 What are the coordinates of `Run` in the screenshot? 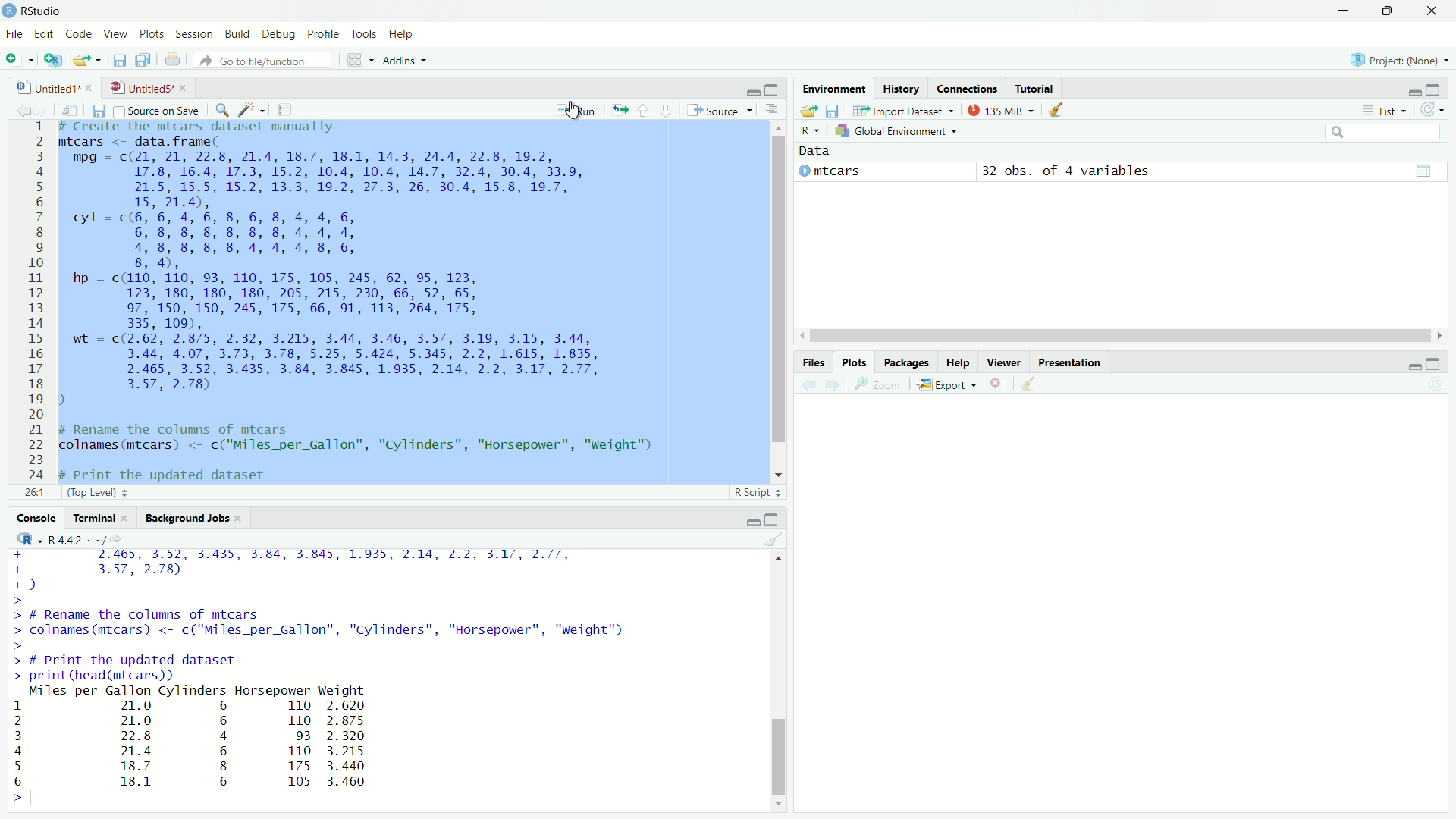 It's located at (577, 111).